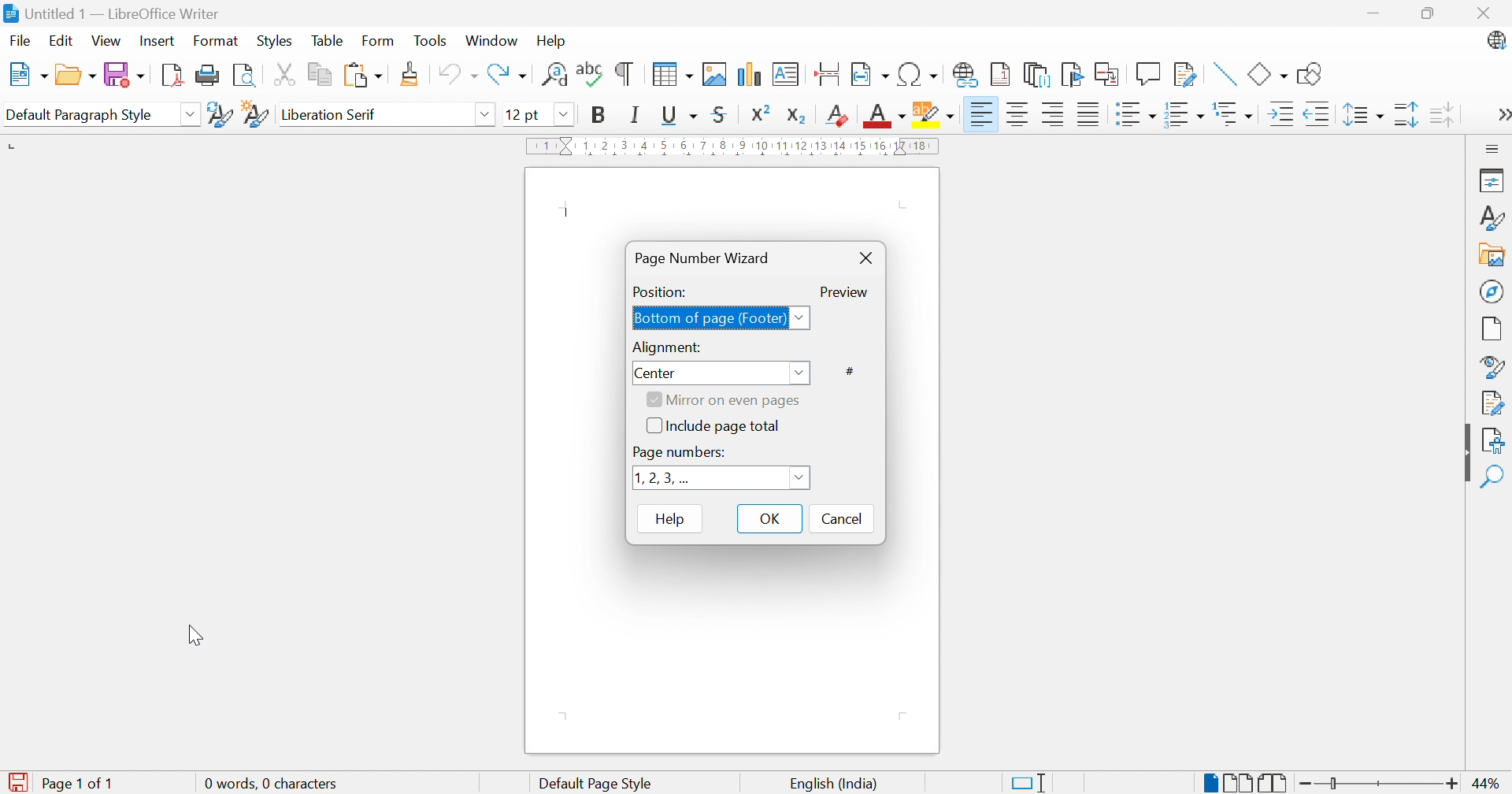 The height and width of the screenshot is (794, 1512). What do you see at coordinates (653, 425) in the screenshot?
I see `Checkbox` at bounding box center [653, 425].